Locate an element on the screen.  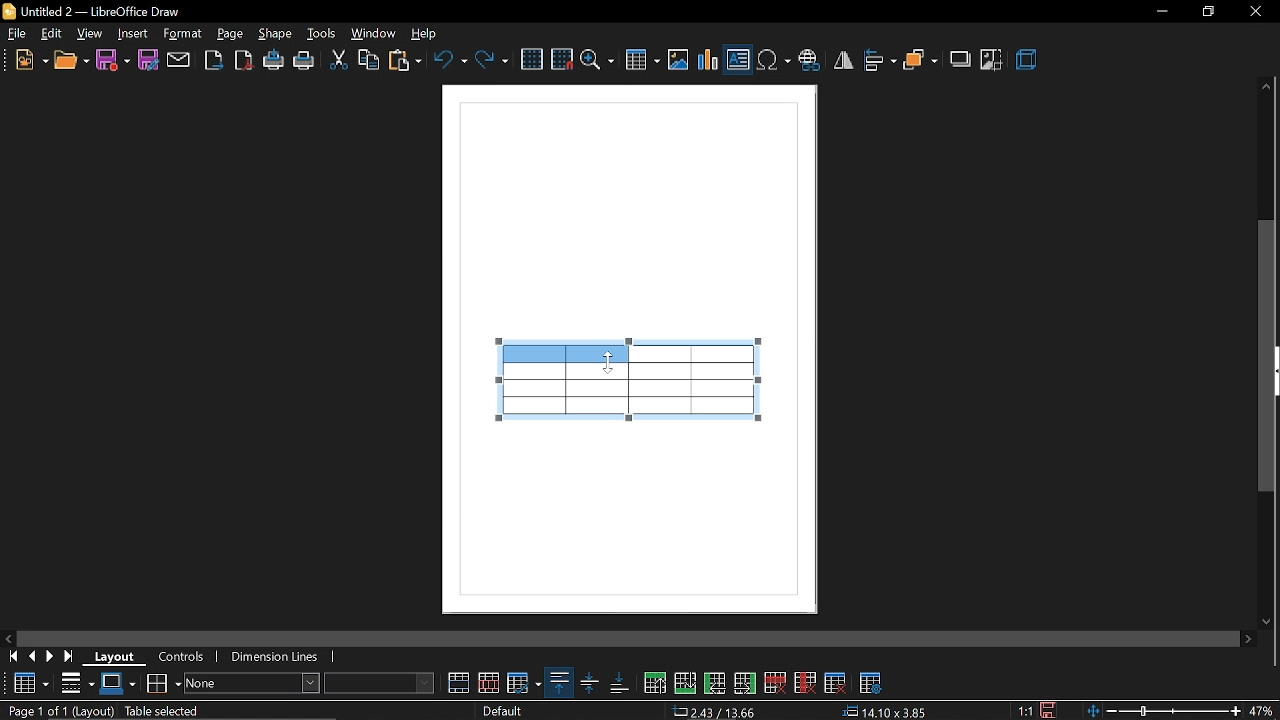
insert row above is located at coordinates (655, 683).